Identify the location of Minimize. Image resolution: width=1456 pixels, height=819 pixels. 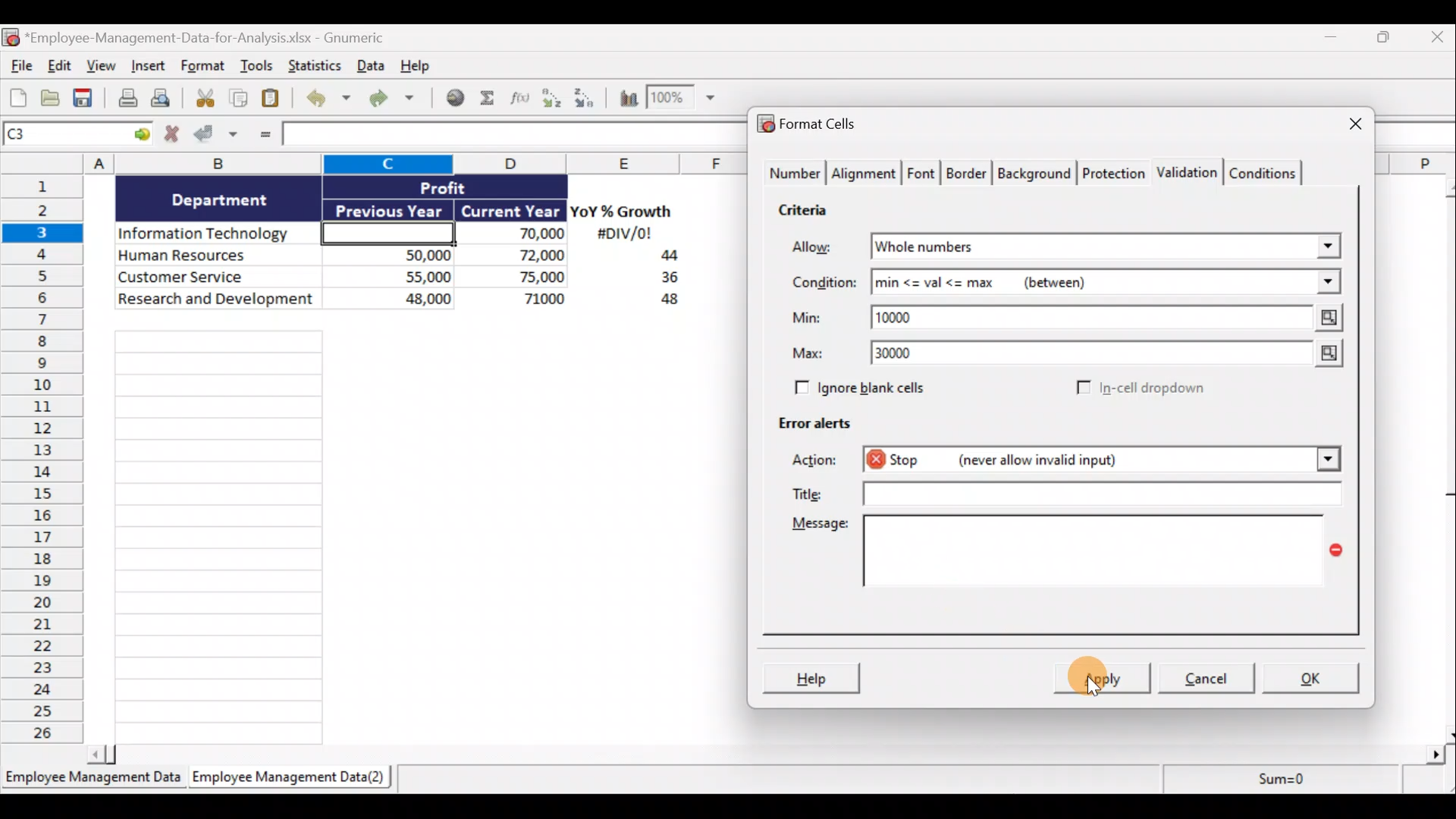
(1336, 40).